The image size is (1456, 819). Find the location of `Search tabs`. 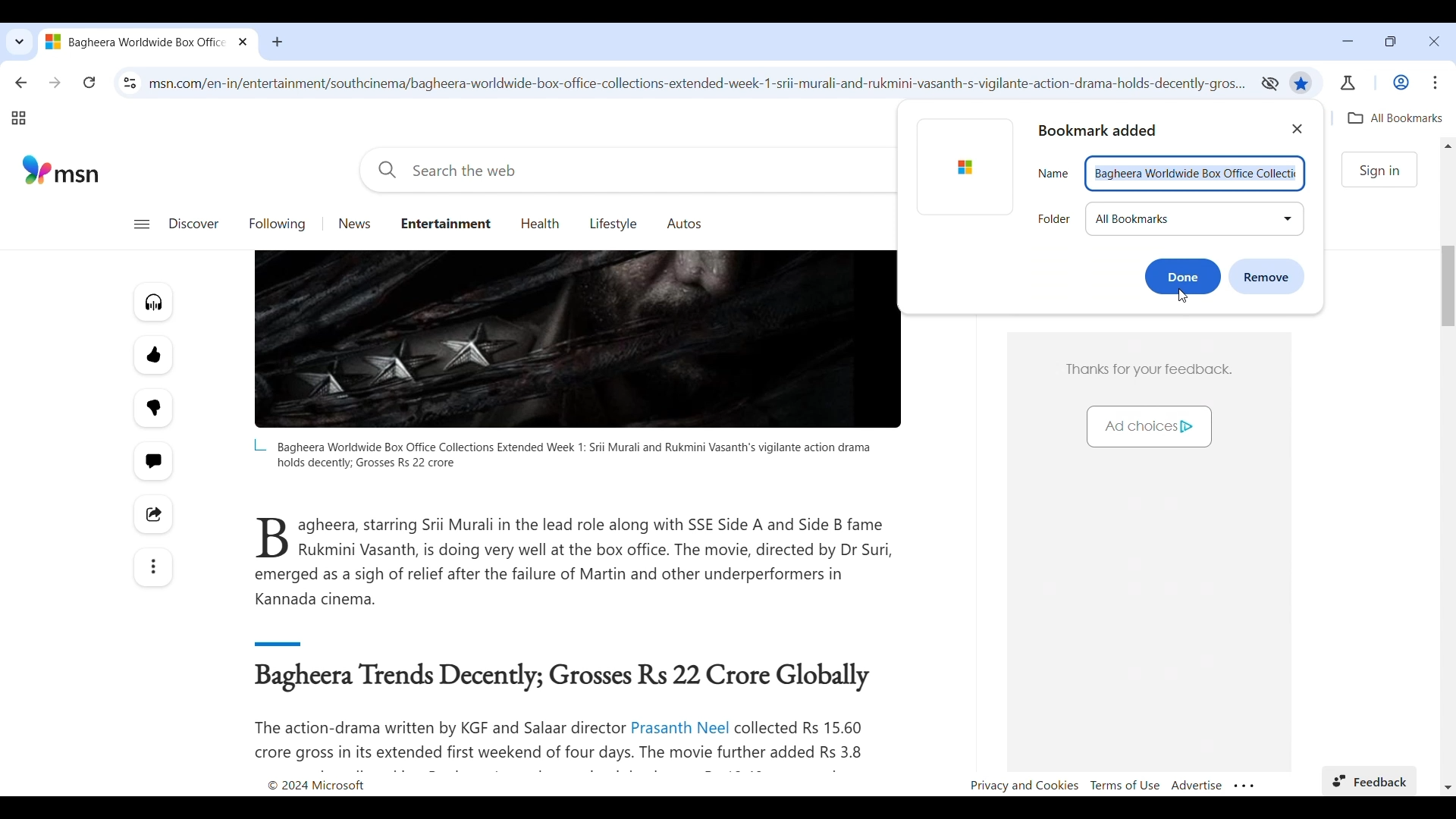

Search tabs is located at coordinates (18, 42).